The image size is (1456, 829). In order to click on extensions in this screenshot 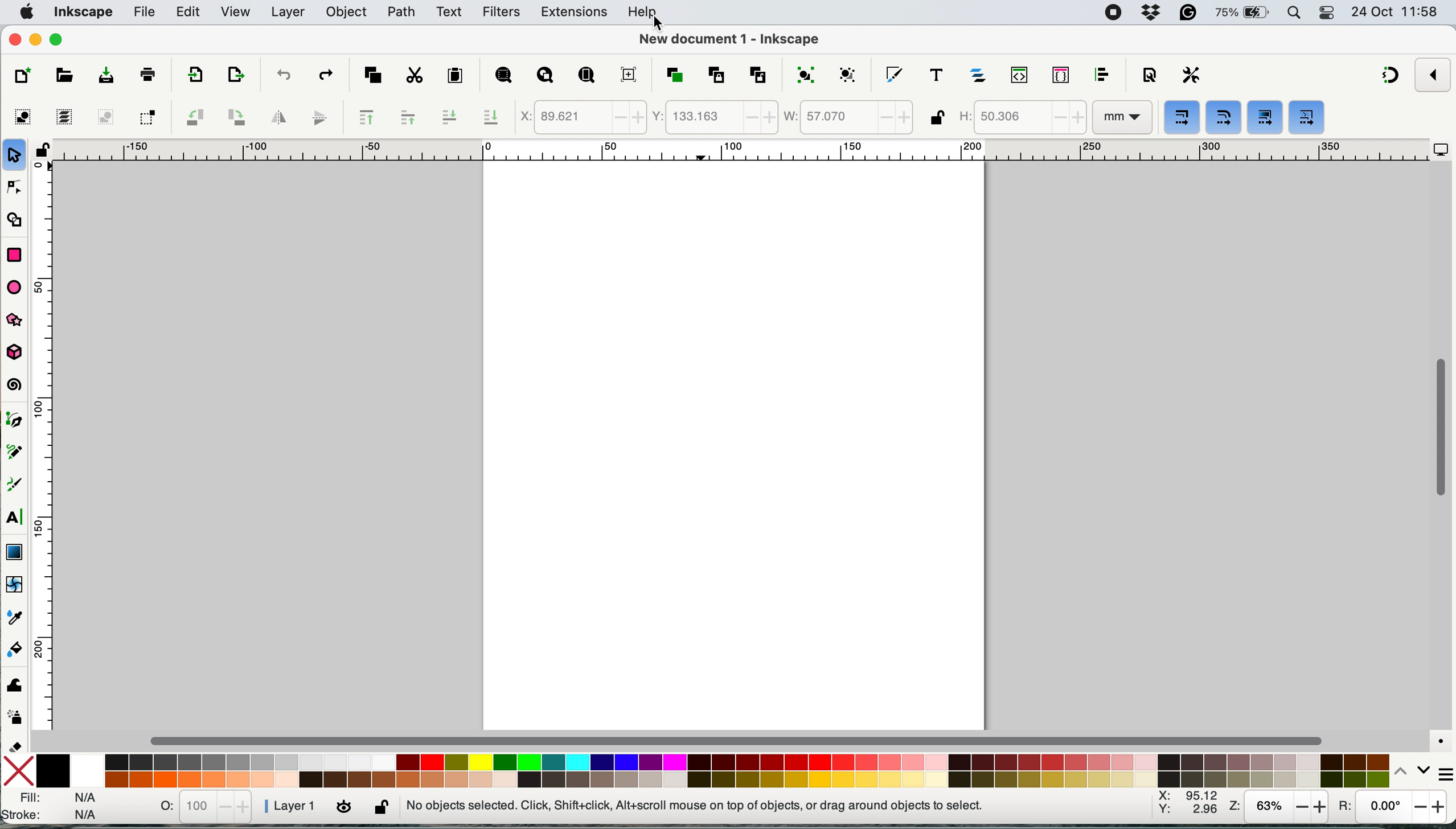, I will do `click(574, 11)`.